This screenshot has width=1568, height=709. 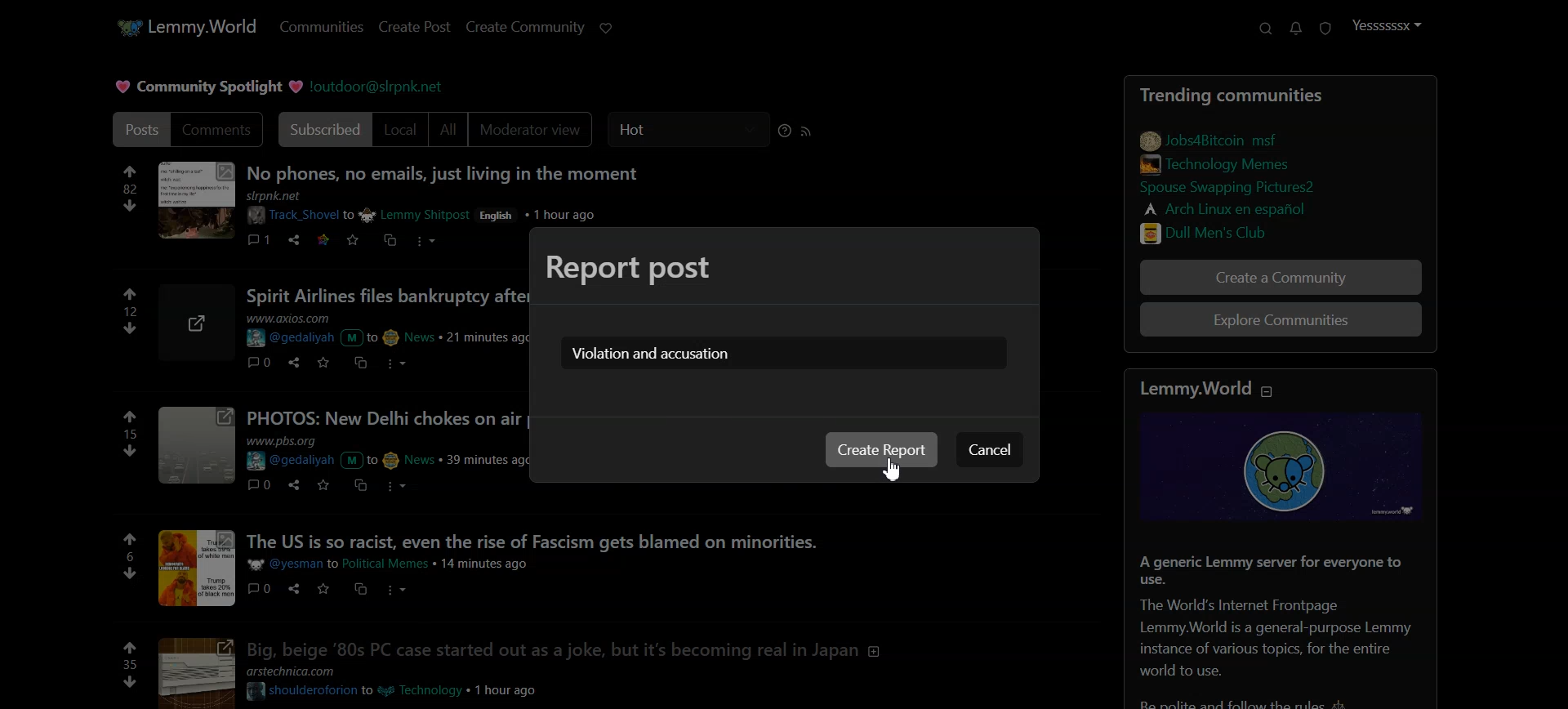 What do you see at coordinates (291, 589) in the screenshot?
I see `share` at bounding box center [291, 589].